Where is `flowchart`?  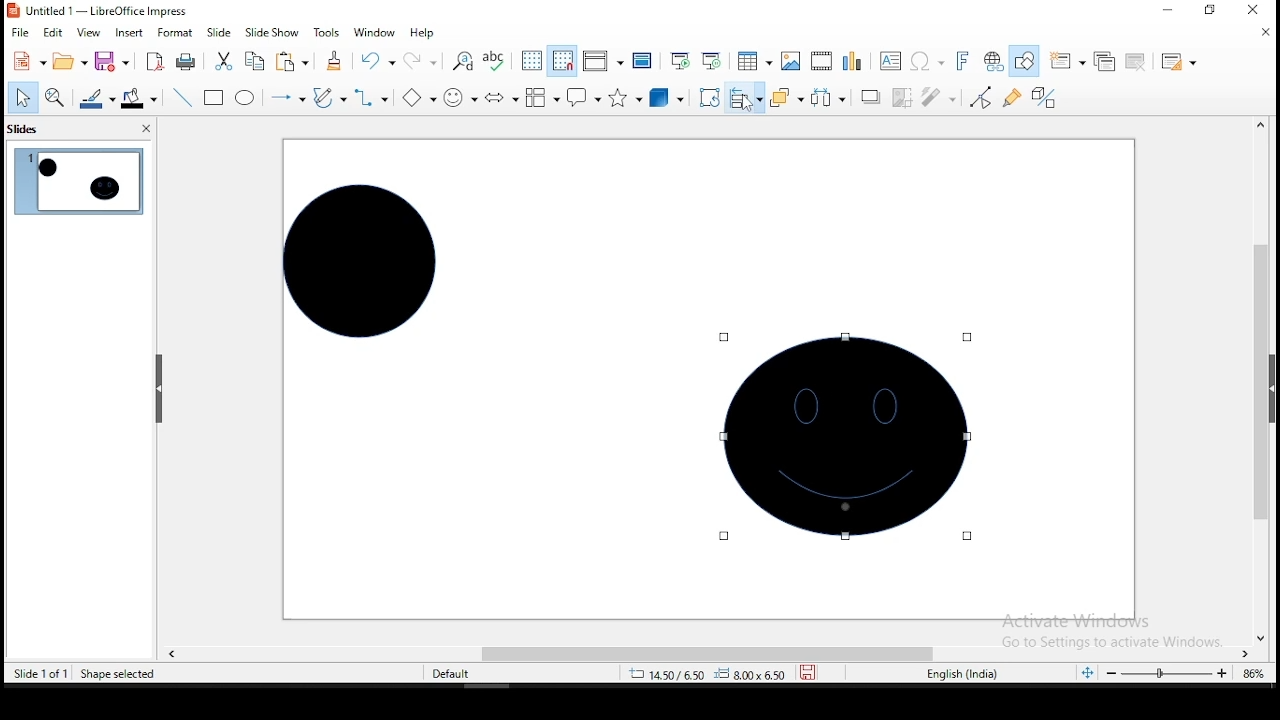 flowchart is located at coordinates (542, 100).